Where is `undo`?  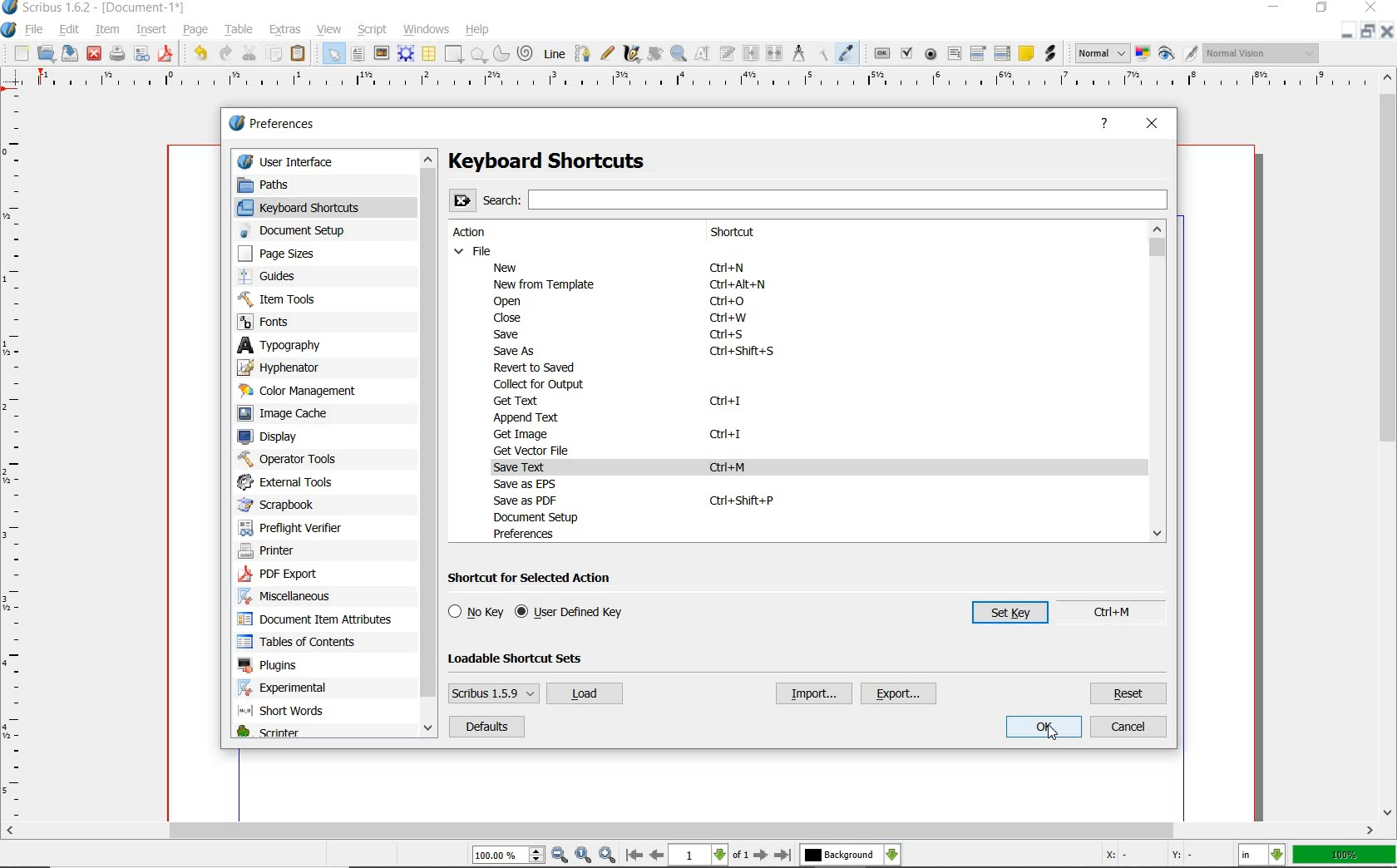 undo is located at coordinates (200, 53).